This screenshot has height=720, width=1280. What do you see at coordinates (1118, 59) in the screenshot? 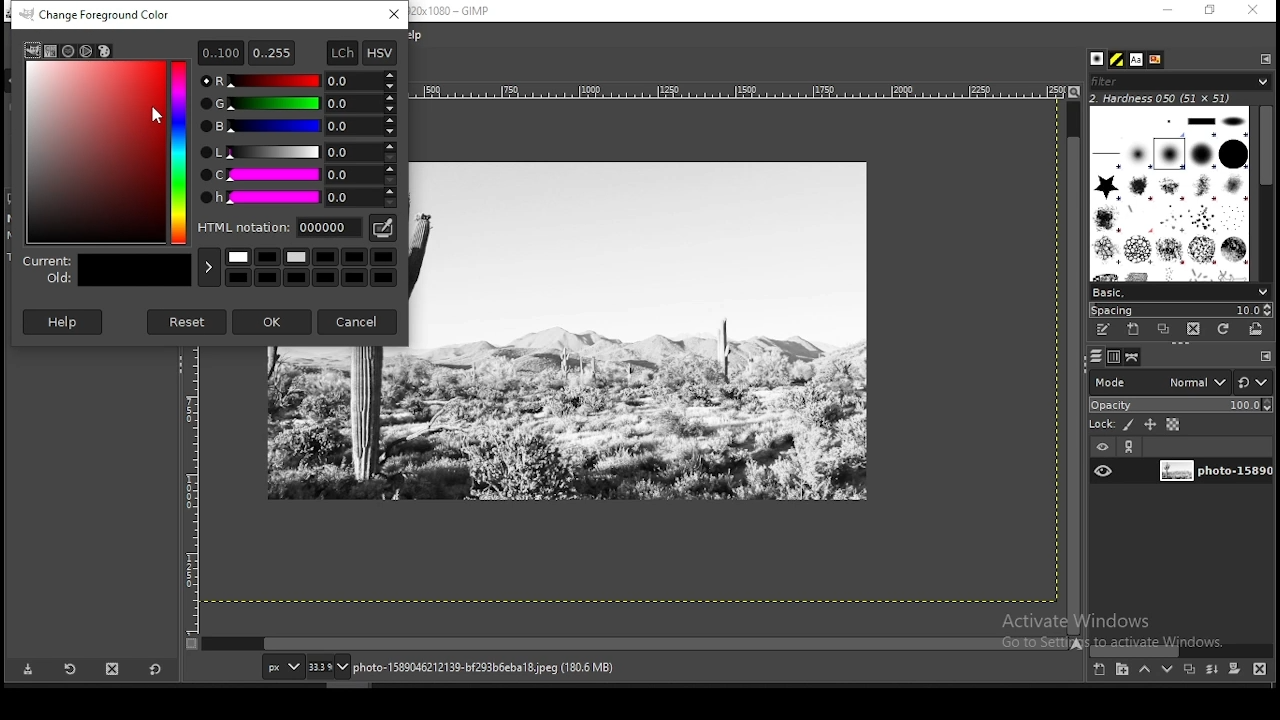
I see `patterns` at bounding box center [1118, 59].